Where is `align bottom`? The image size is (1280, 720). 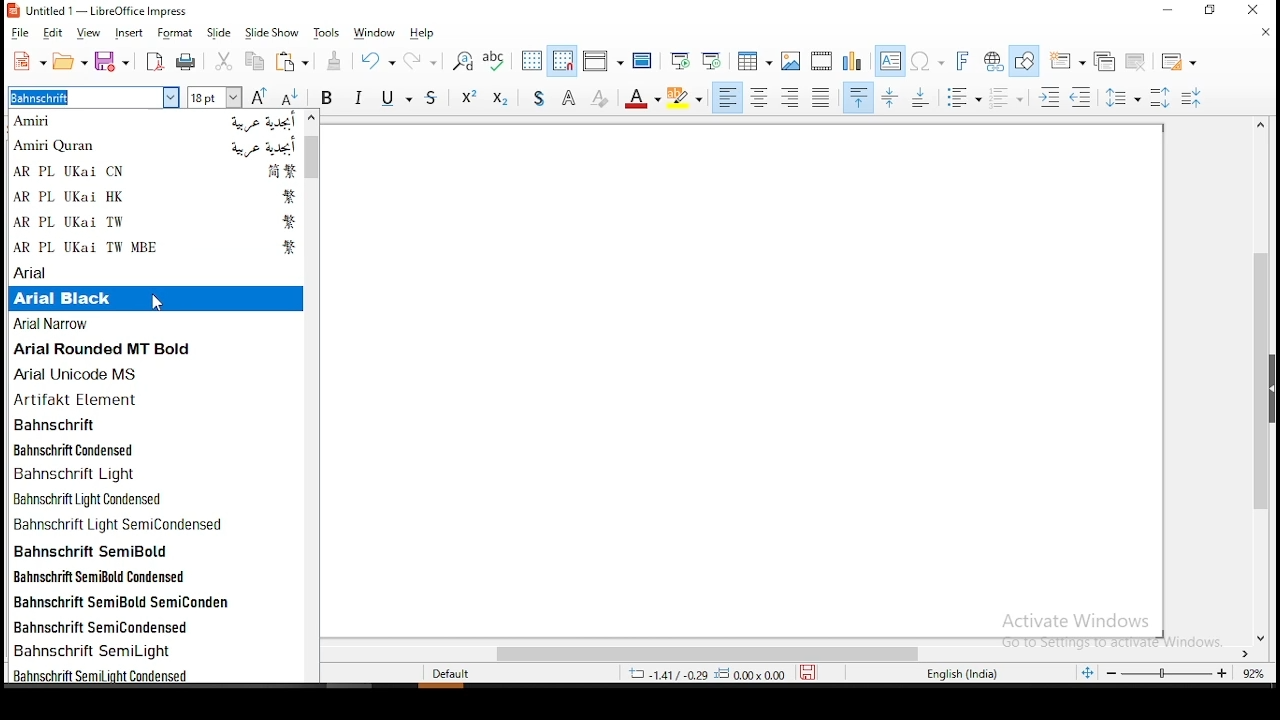 align bottom is located at coordinates (924, 96).